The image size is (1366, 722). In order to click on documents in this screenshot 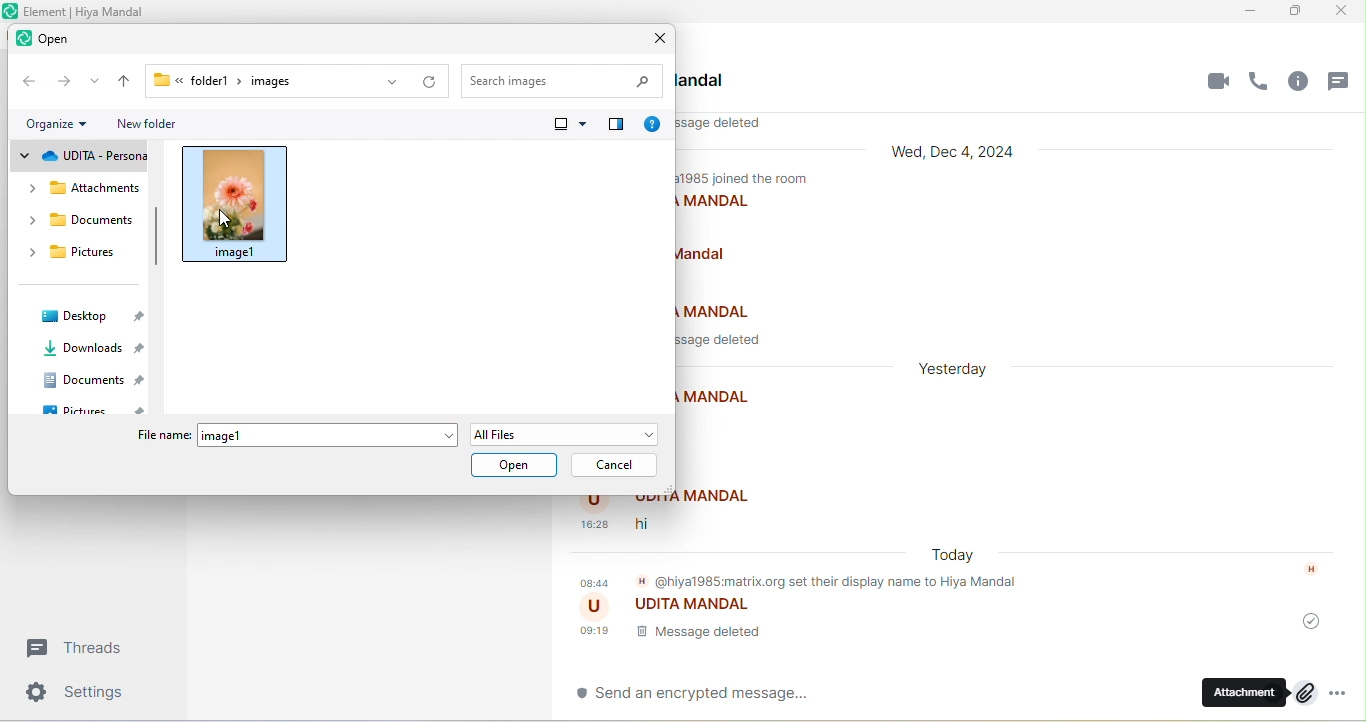, I will do `click(94, 383)`.